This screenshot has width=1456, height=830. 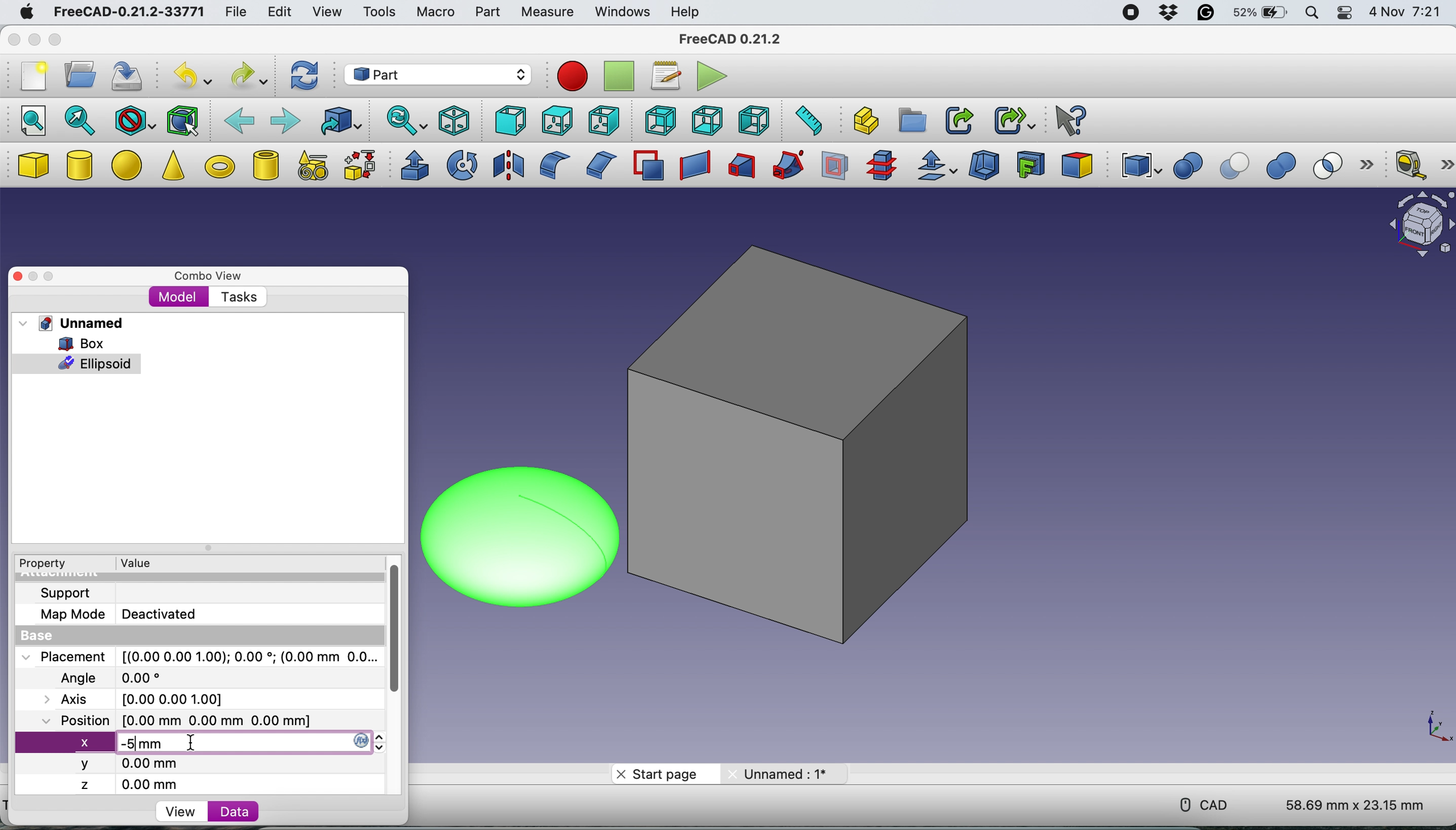 What do you see at coordinates (1068, 119) in the screenshot?
I see `What's this?` at bounding box center [1068, 119].